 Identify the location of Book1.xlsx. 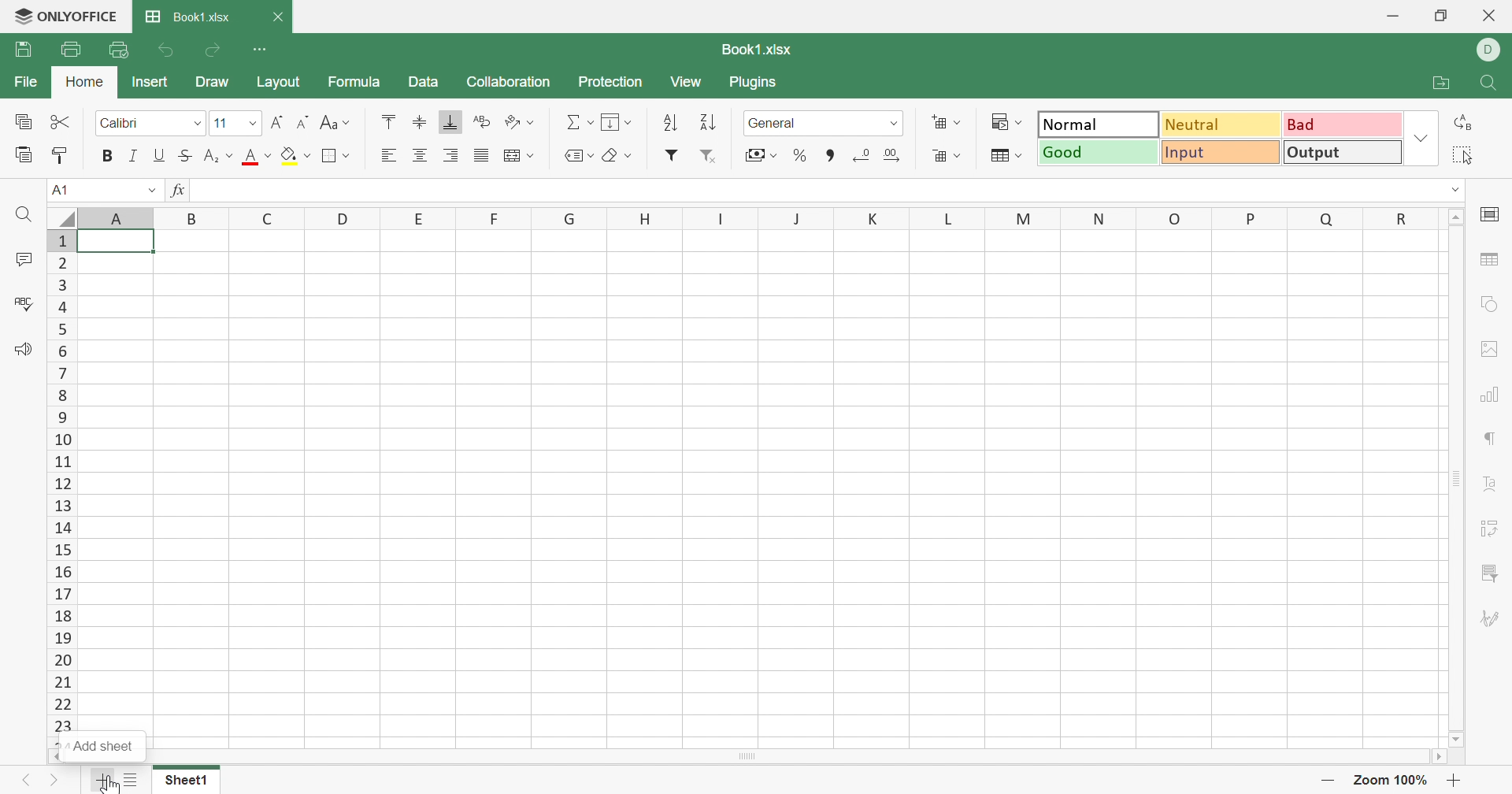
(764, 50).